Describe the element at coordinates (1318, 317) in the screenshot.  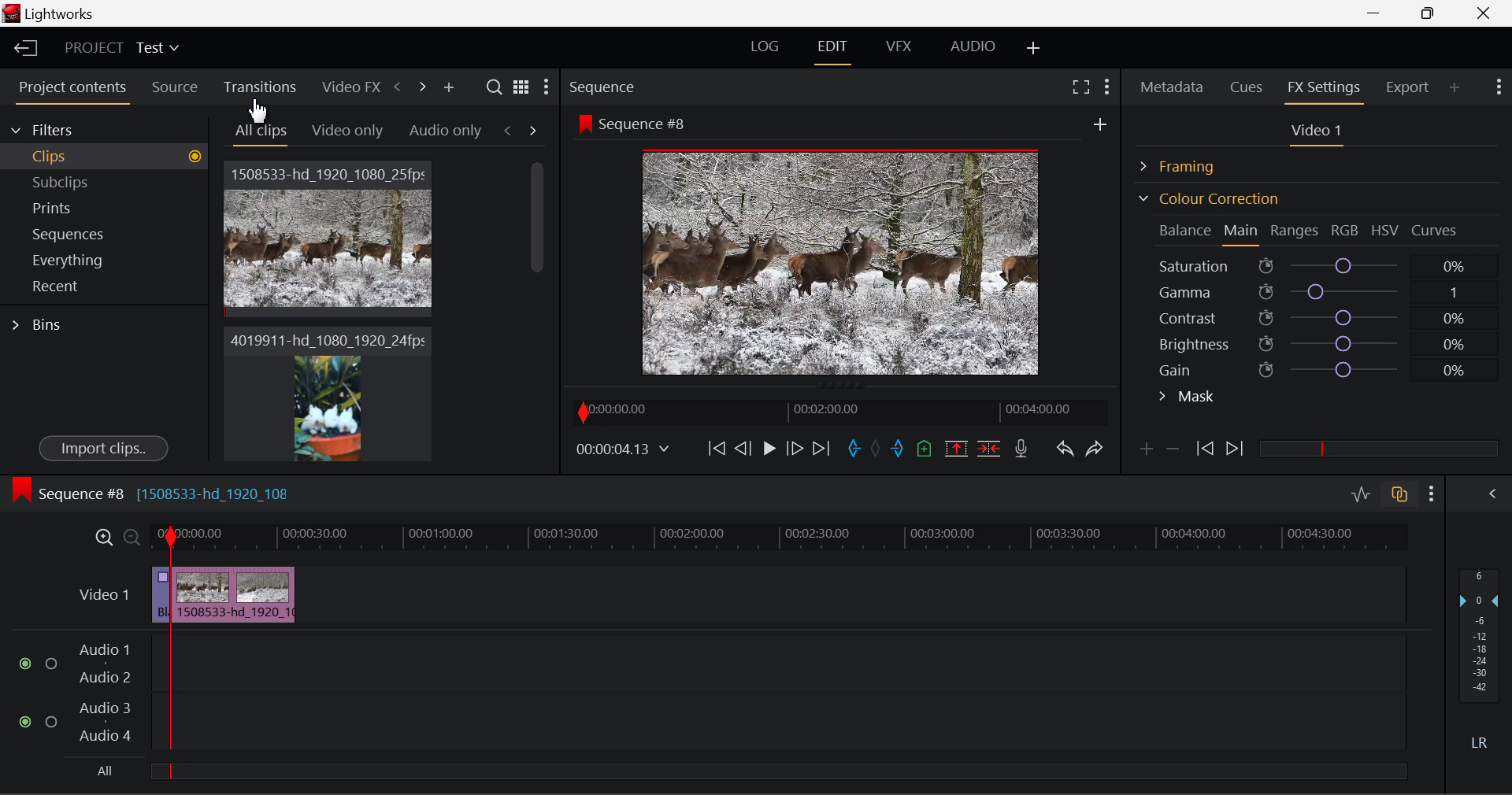
I see `Contrast` at that location.